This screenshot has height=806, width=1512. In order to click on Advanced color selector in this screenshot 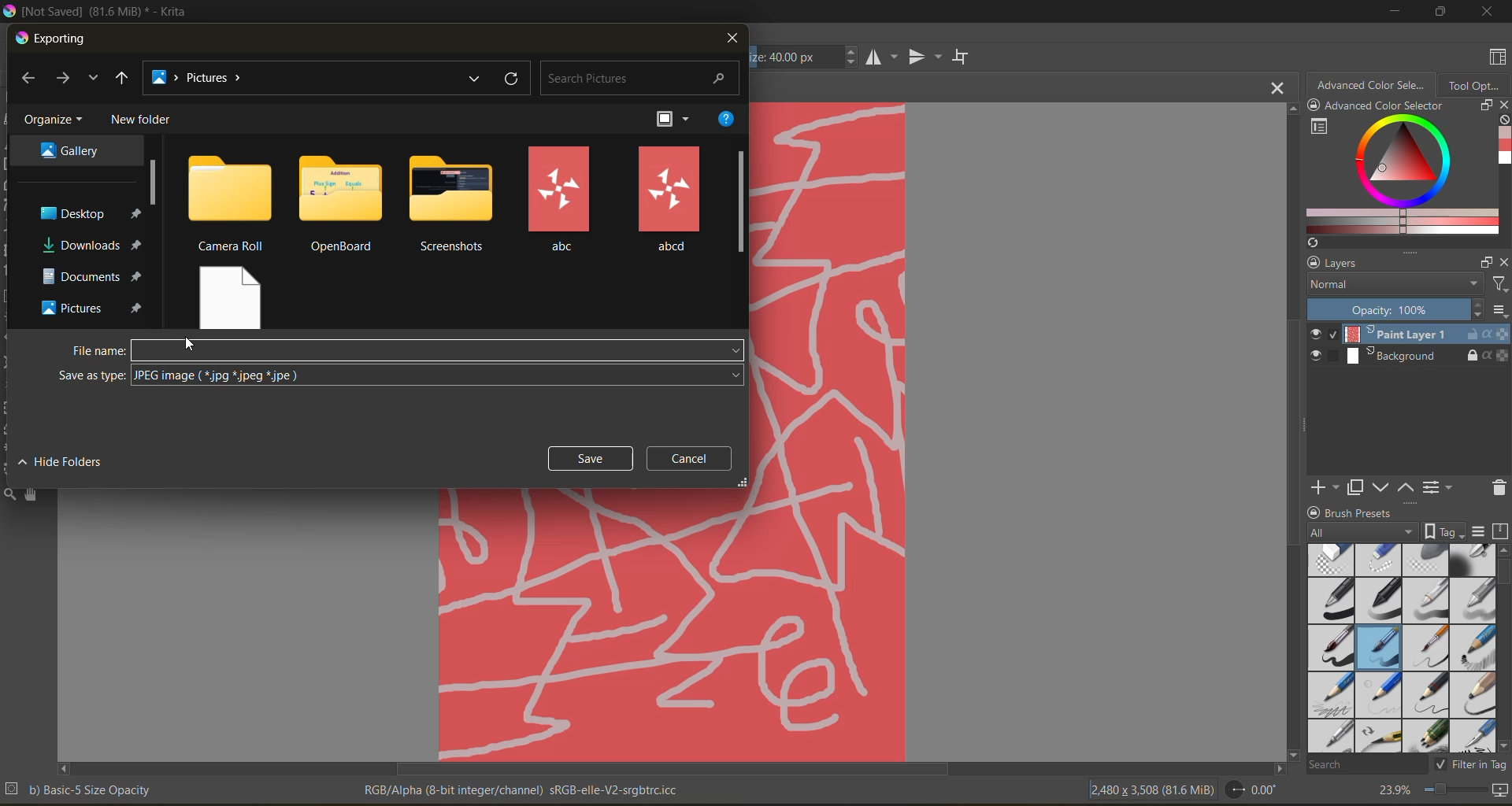, I will do `click(1384, 107)`.